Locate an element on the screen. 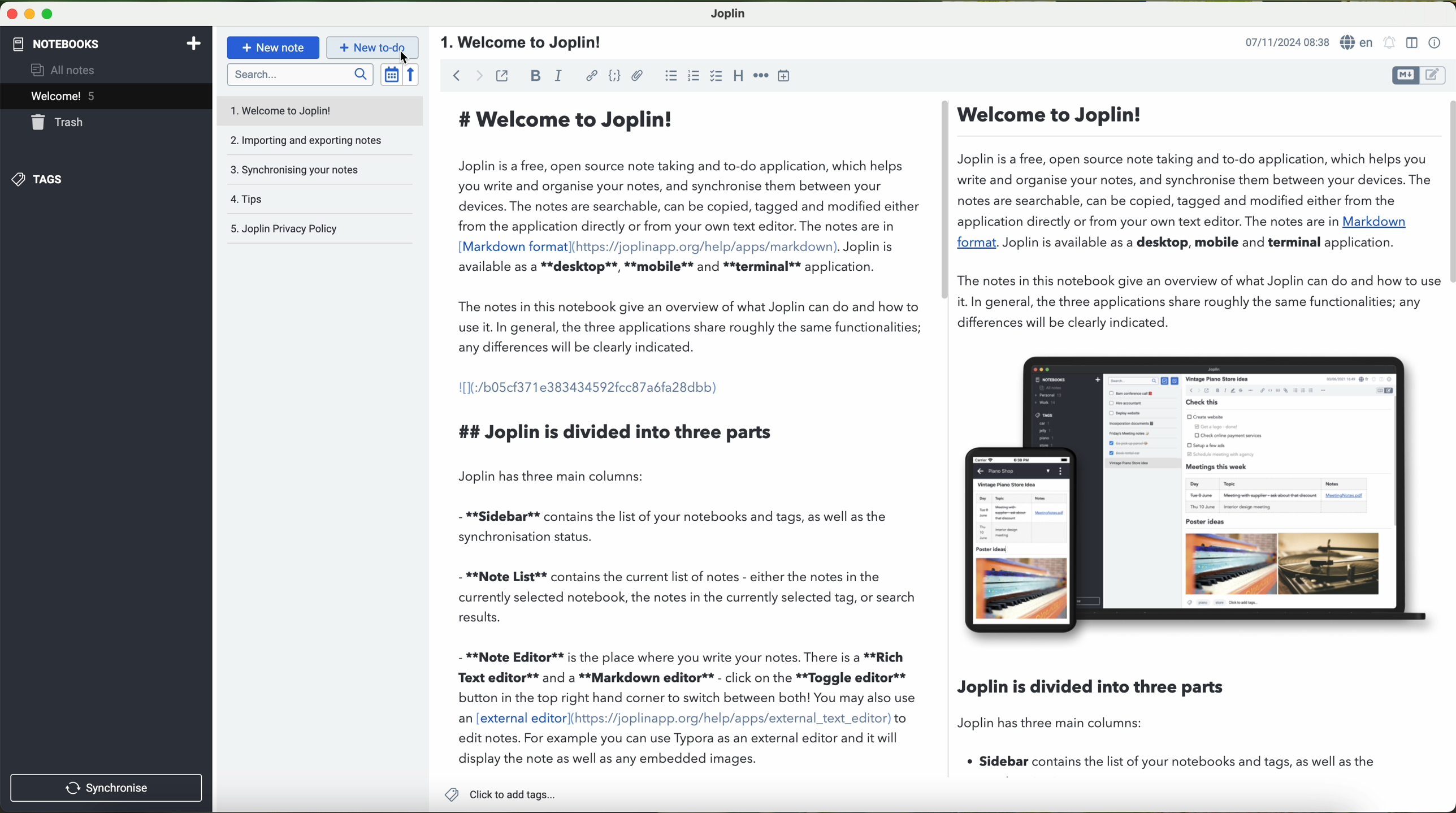 The image size is (1456, 813). all notes is located at coordinates (66, 71).